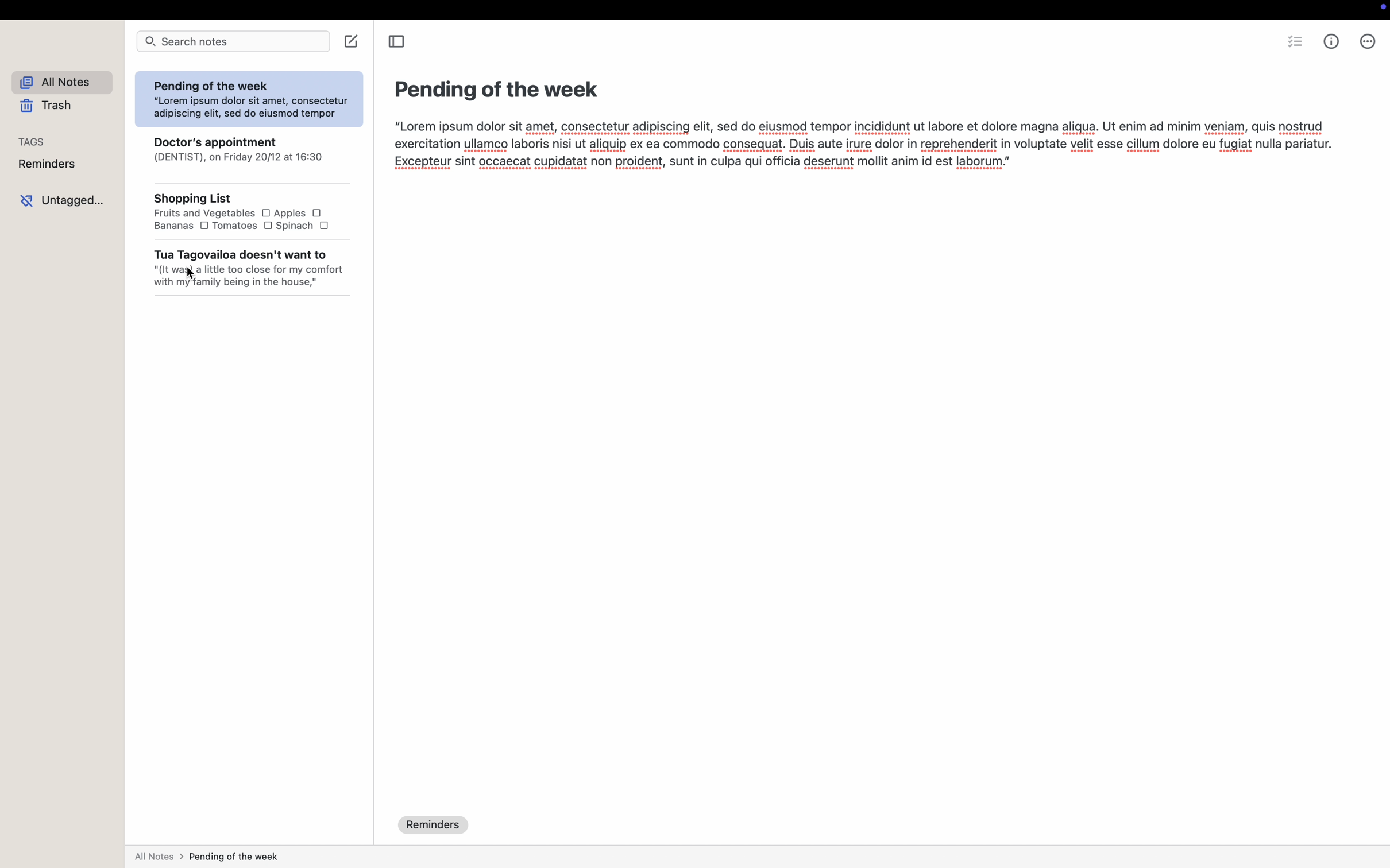 This screenshot has height=868, width=1390. Describe the element at coordinates (862, 149) in the screenshot. I see `“Lorem ipsum dolor sit amet, consectetur adipiscing elit, sed do eiusmod tempor incididunt ut labore et dolore magna aligua. Ut enim ad minim veniam, quis nostrud
exercitation ullamco laboris nisi ut aliquip ex ea commodo consequat. Duis aute irure dolor in reprehenderit in voluptate velit esse cillum dolore eu fugiat nulla pariatur.
Excepteur sint occaecat cupidatat non proident, sunt in culpa qui officia deserunt mollit anim id est laborum."` at that location.